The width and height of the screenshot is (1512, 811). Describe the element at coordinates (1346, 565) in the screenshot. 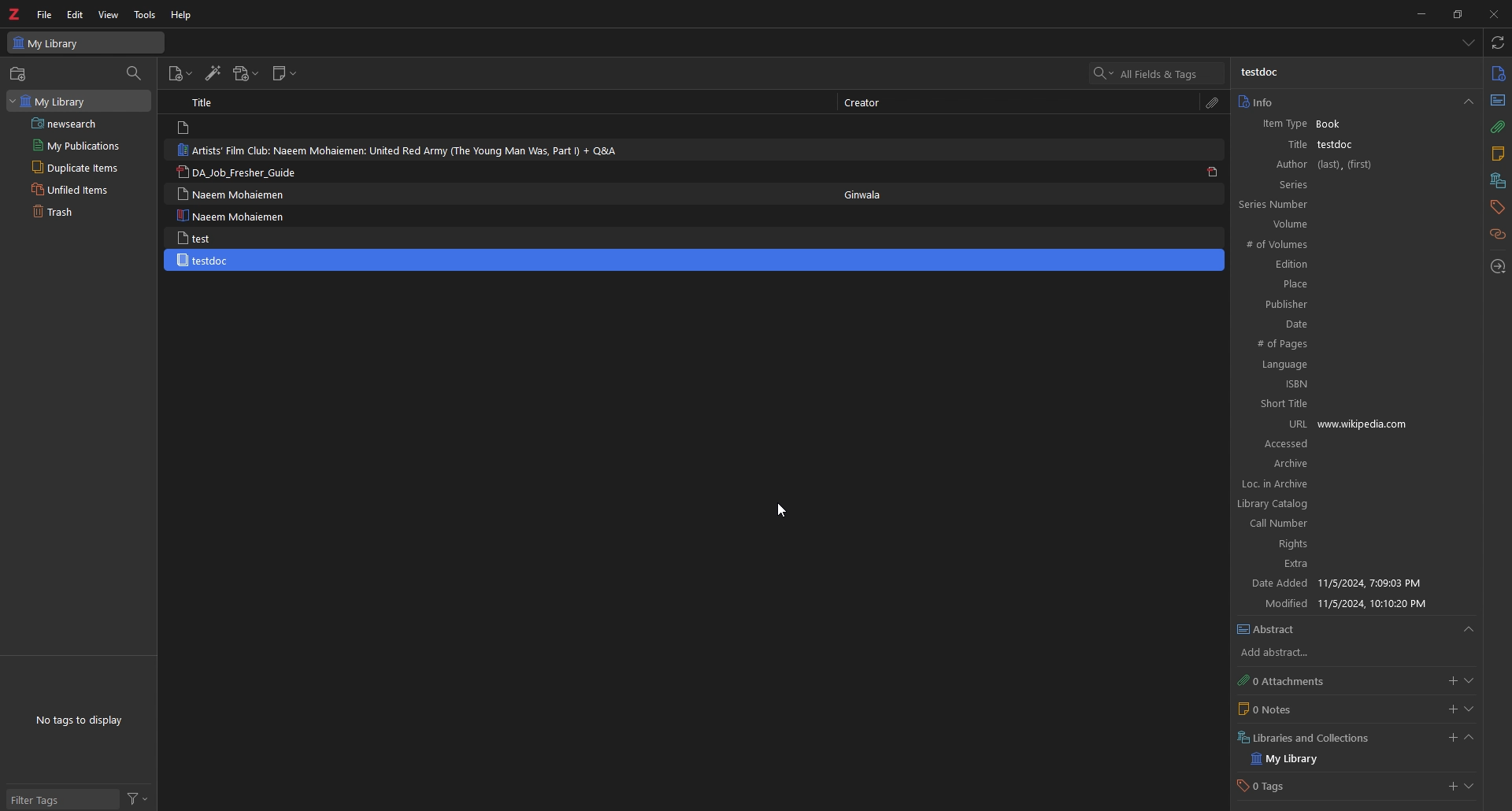

I see `Extra` at that location.